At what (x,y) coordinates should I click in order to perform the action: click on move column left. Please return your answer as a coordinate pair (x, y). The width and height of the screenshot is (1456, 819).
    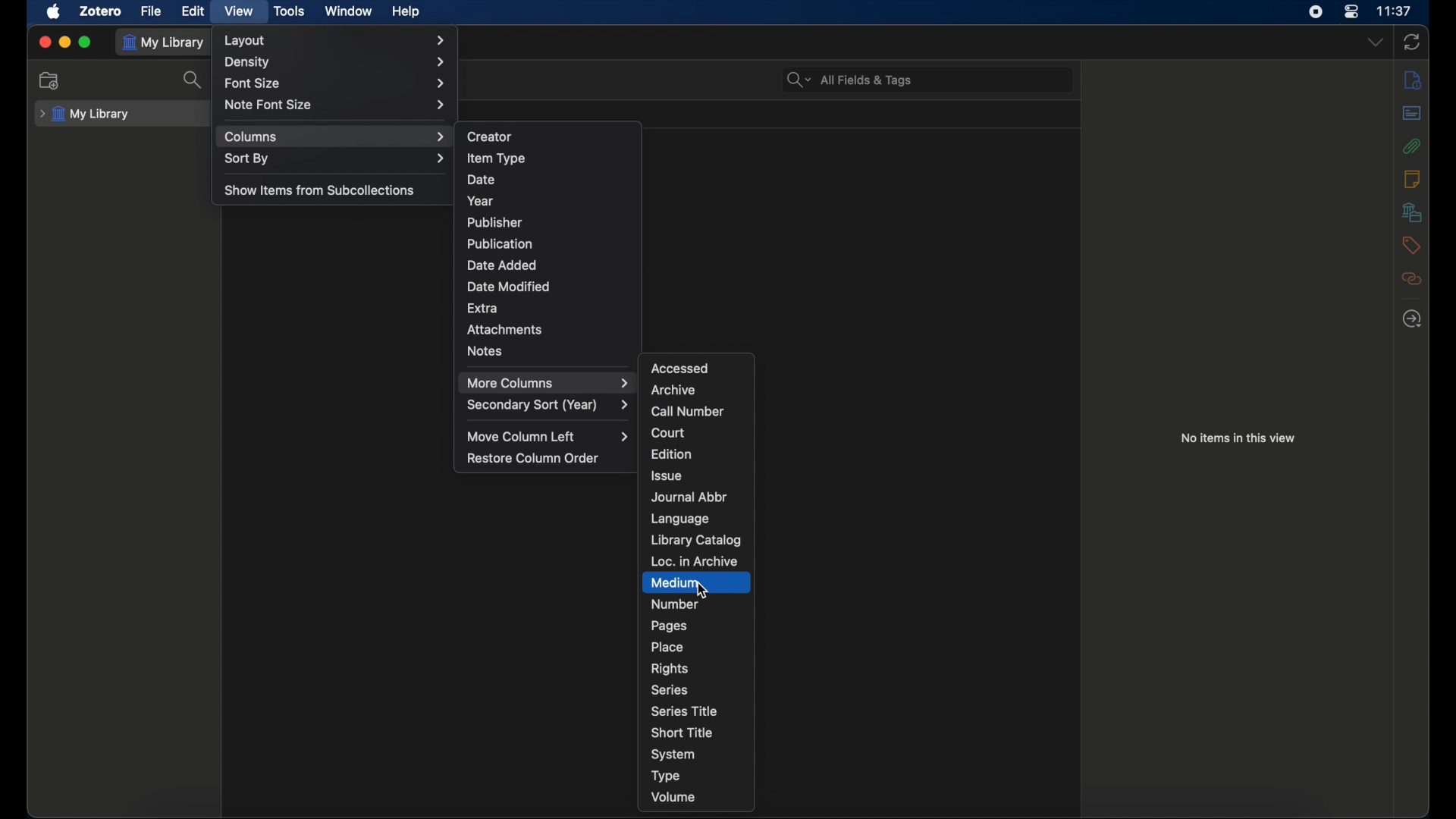
    Looking at the image, I should click on (551, 436).